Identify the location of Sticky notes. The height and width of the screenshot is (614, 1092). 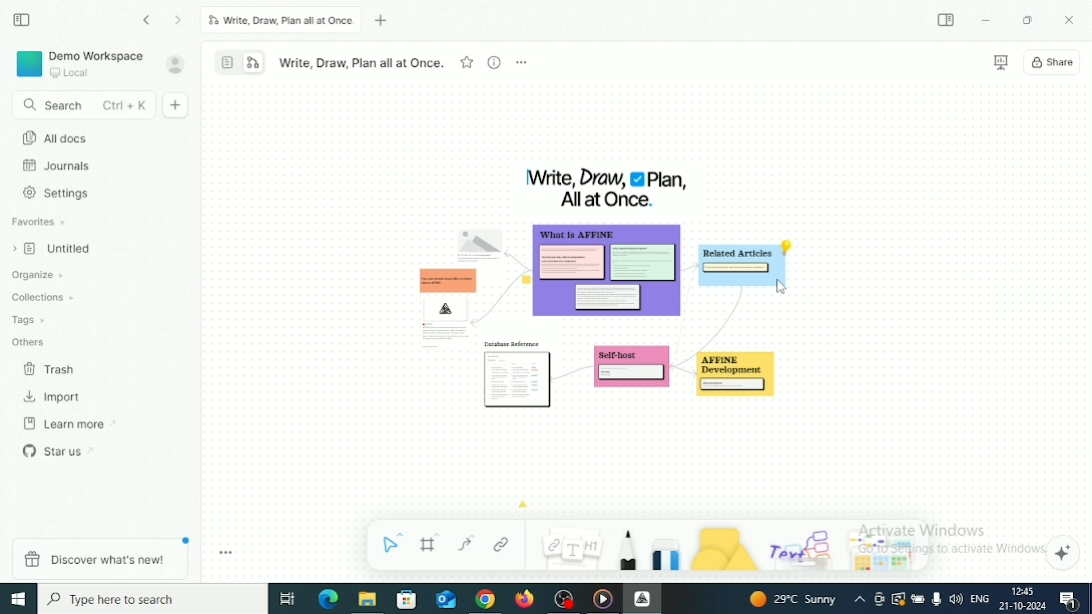
(609, 275).